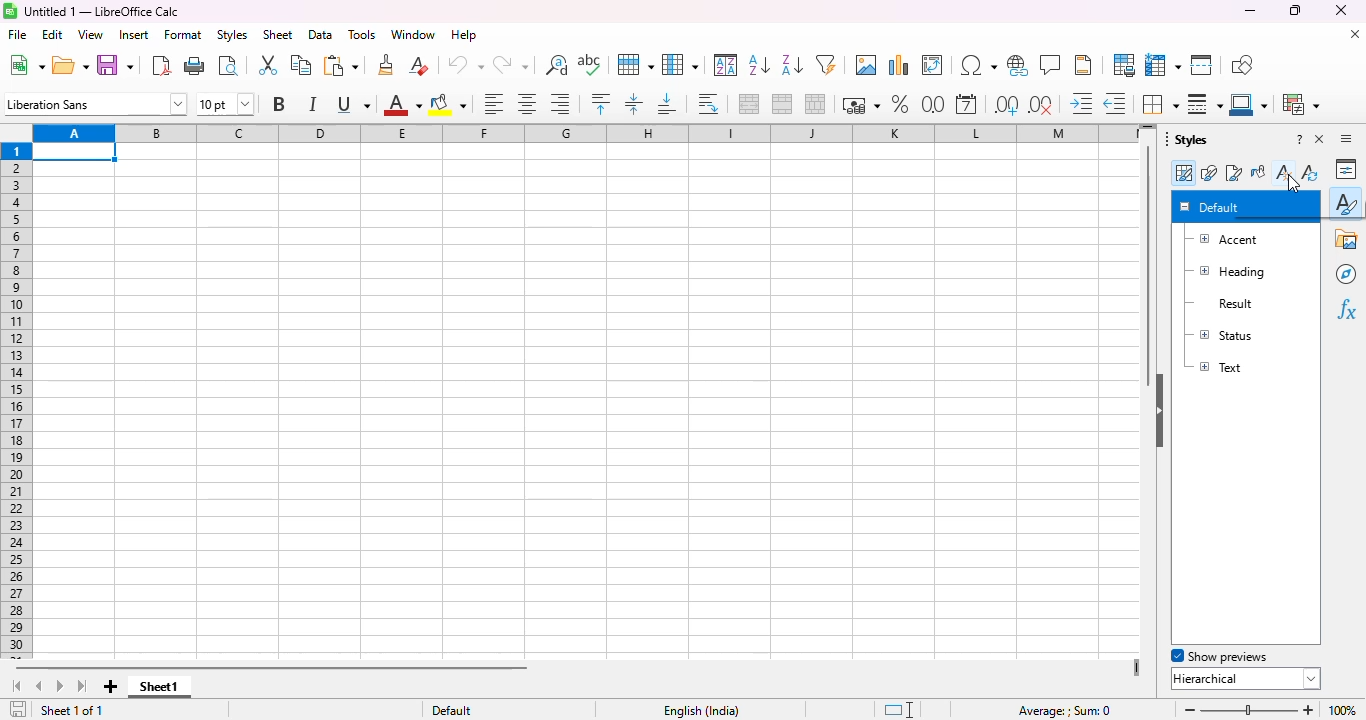 Image resolution: width=1366 pixels, height=720 pixels. I want to click on border color, so click(1250, 104).